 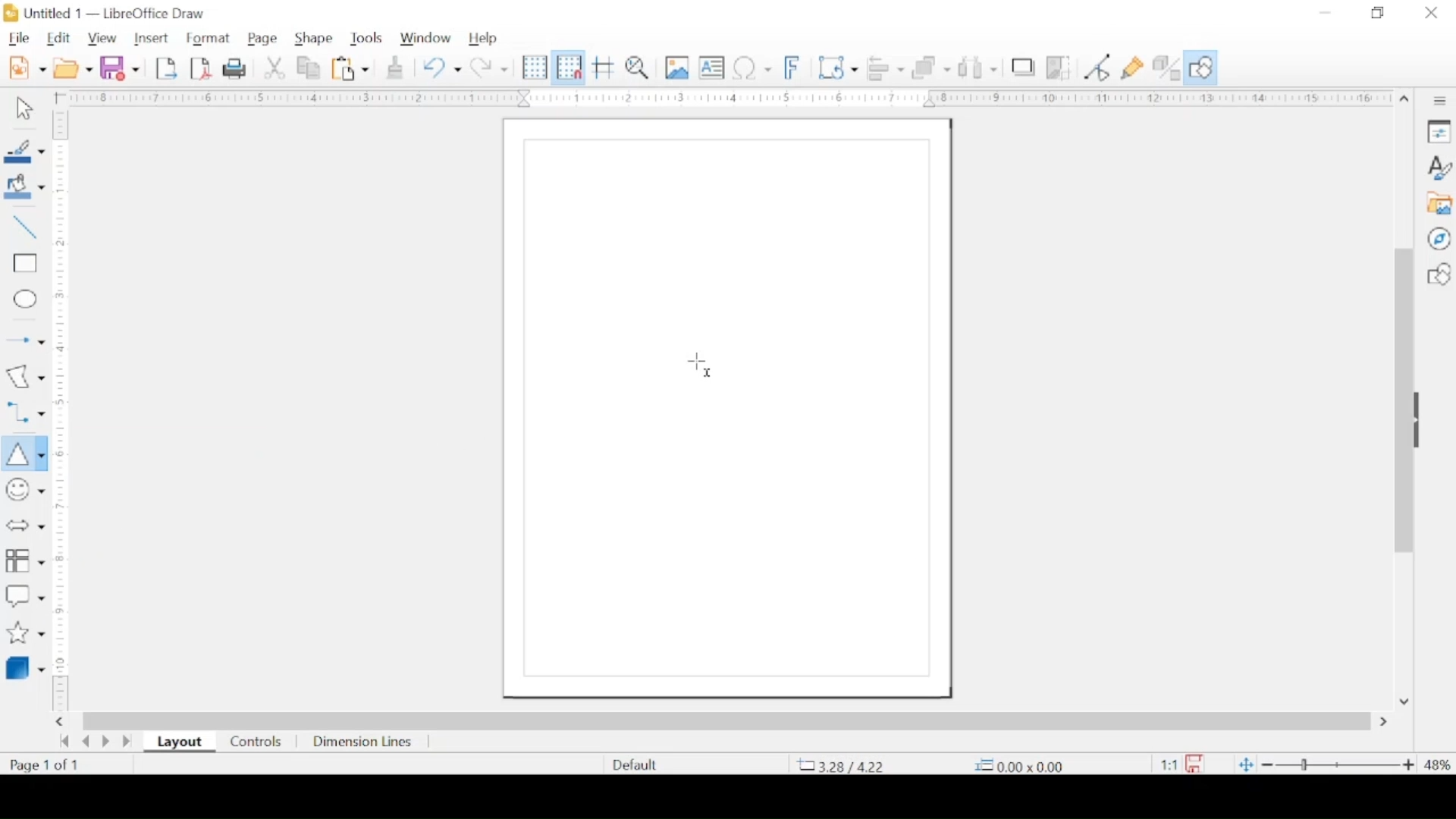 I want to click on untitled 1 - libreoffice draw, so click(x=110, y=13).